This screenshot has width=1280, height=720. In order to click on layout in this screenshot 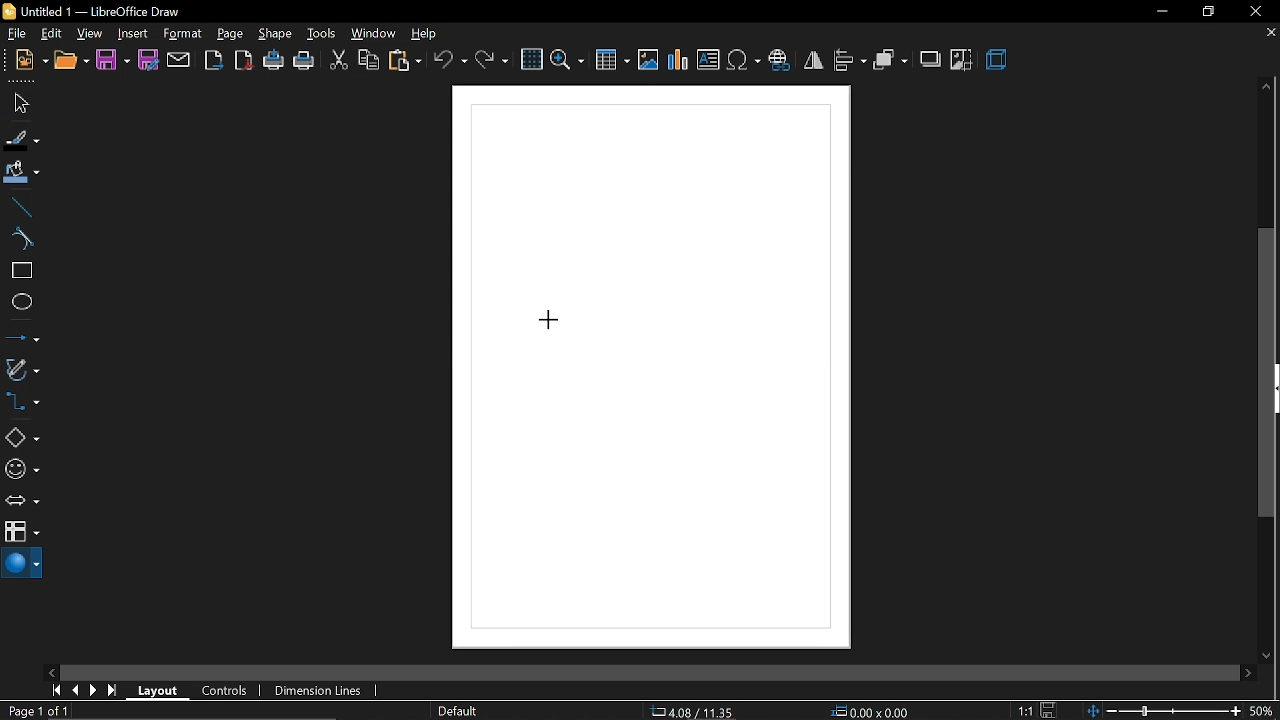, I will do `click(162, 691)`.